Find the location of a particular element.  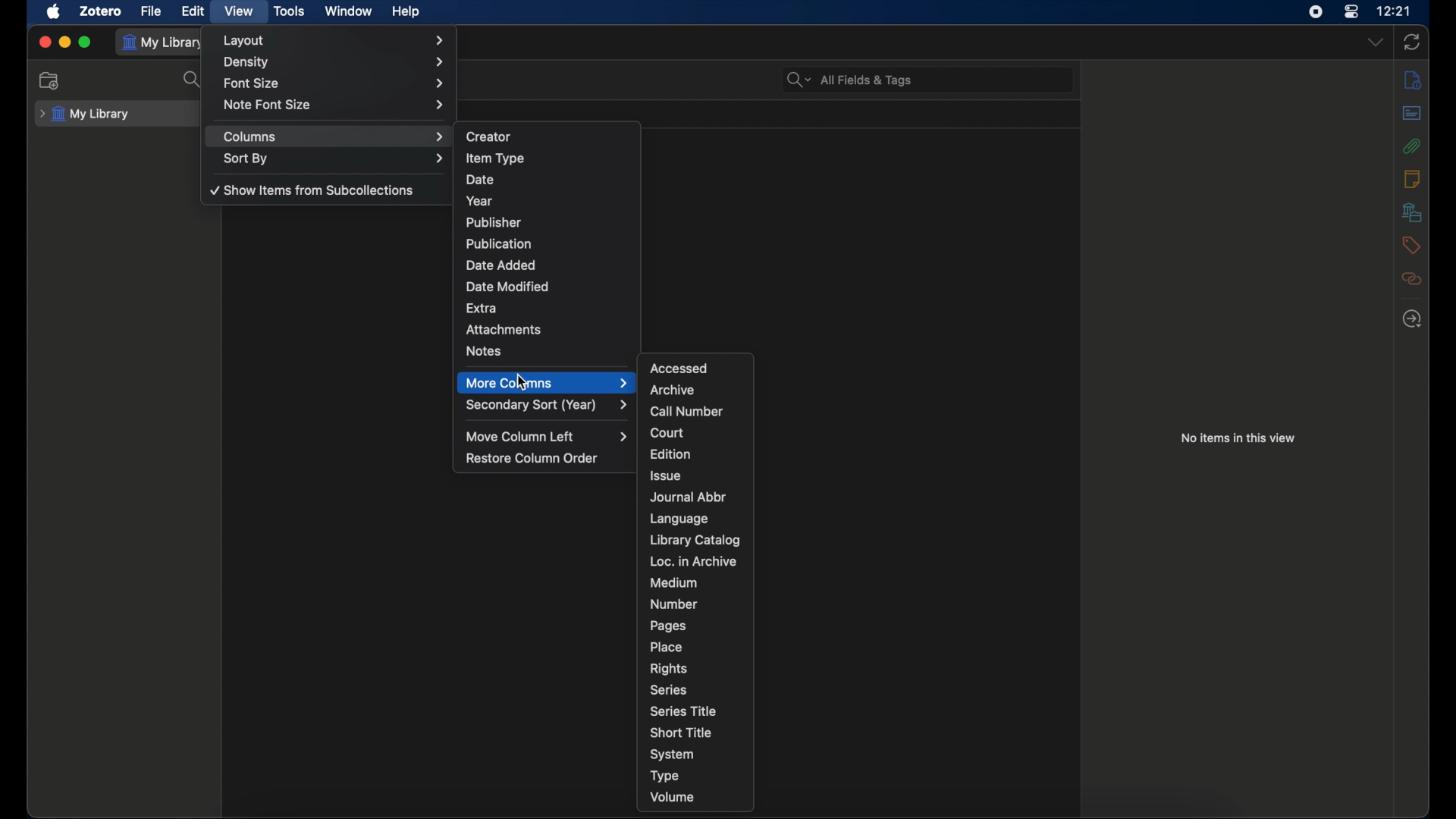

year is located at coordinates (479, 202).